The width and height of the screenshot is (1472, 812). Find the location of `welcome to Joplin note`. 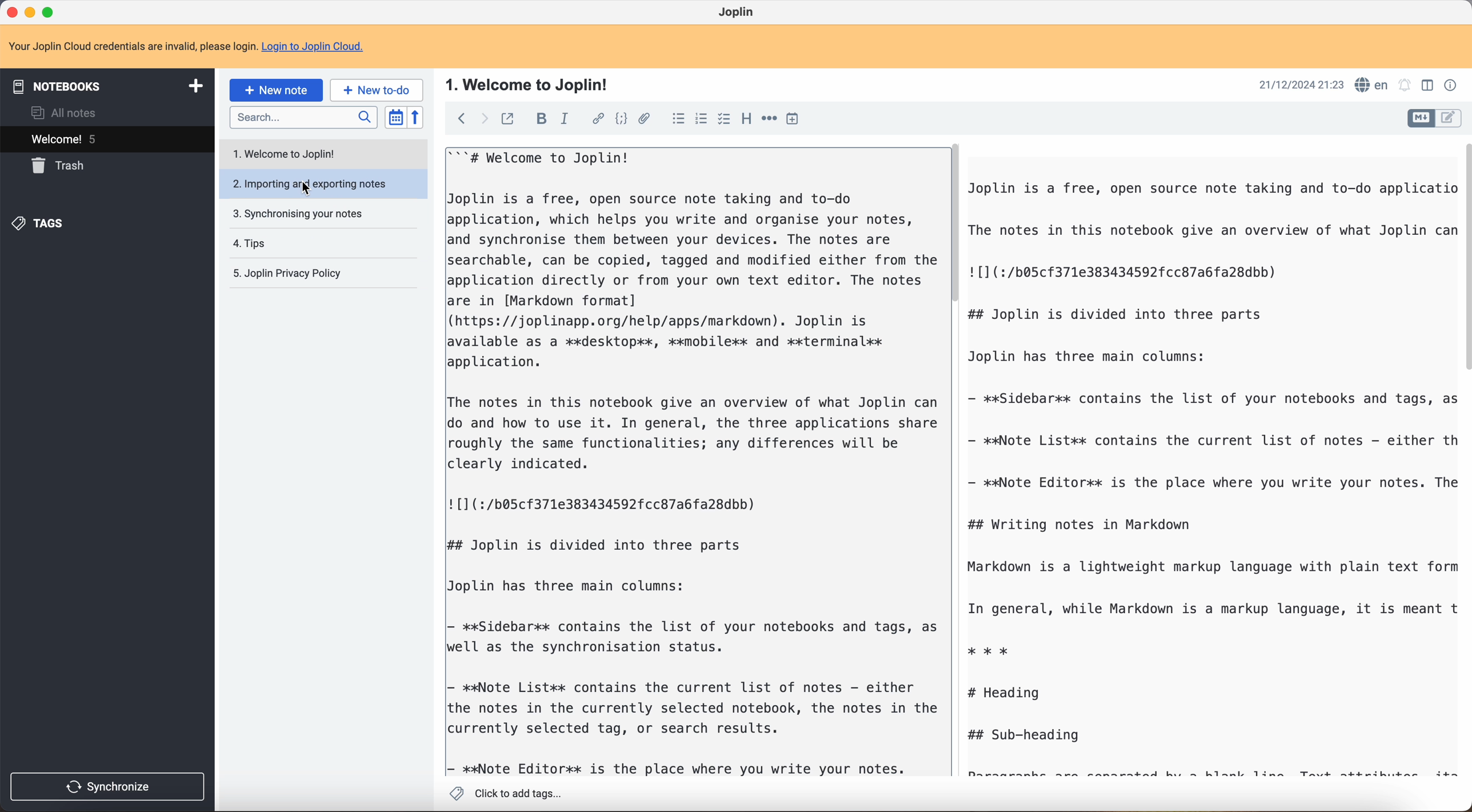

welcome to Joplin note is located at coordinates (290, 154).